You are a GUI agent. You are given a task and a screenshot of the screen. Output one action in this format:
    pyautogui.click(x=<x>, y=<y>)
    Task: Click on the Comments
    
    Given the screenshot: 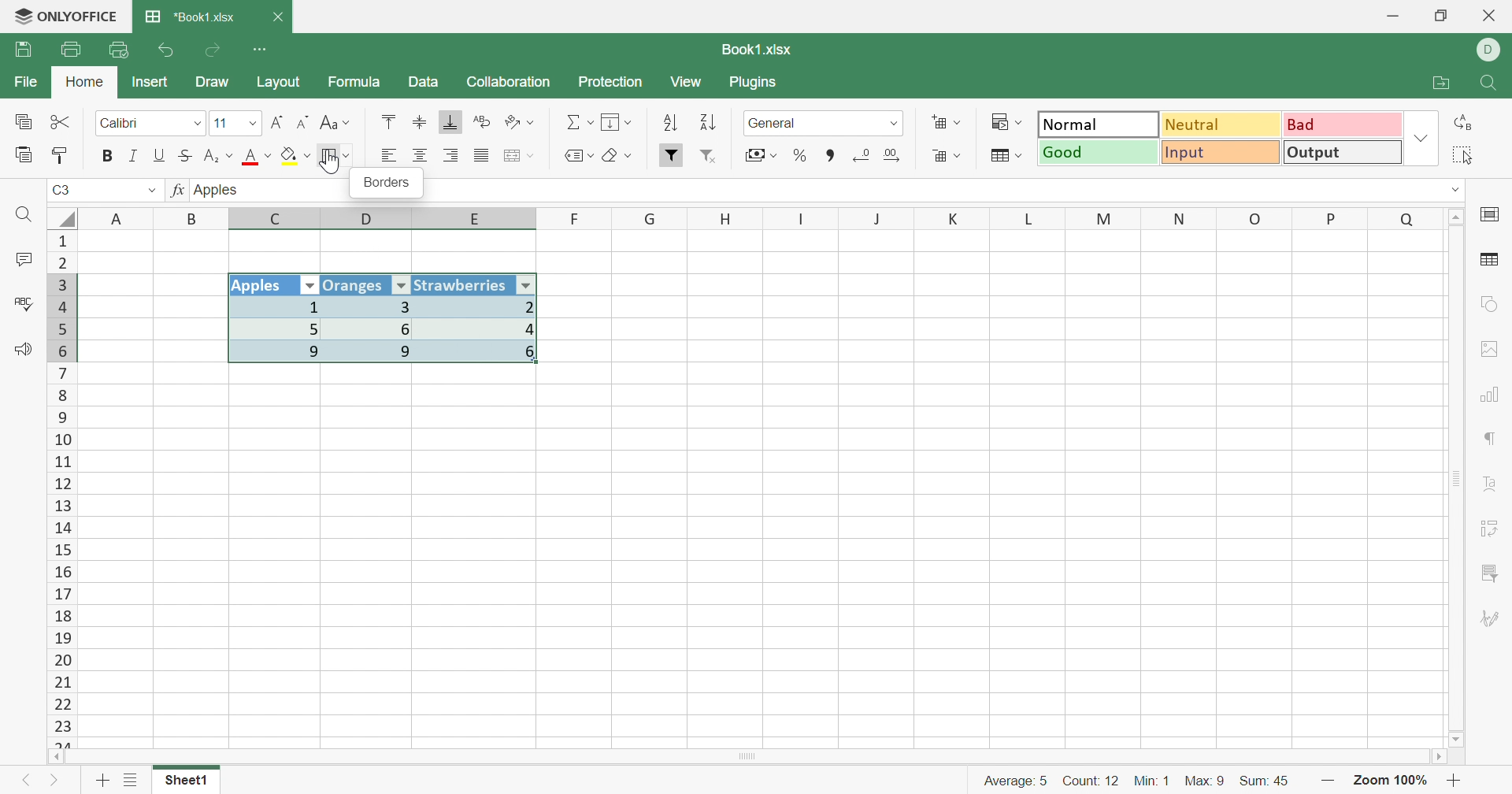 What is the action you would take?
    pyautogui.click(x=20, y=262)
    